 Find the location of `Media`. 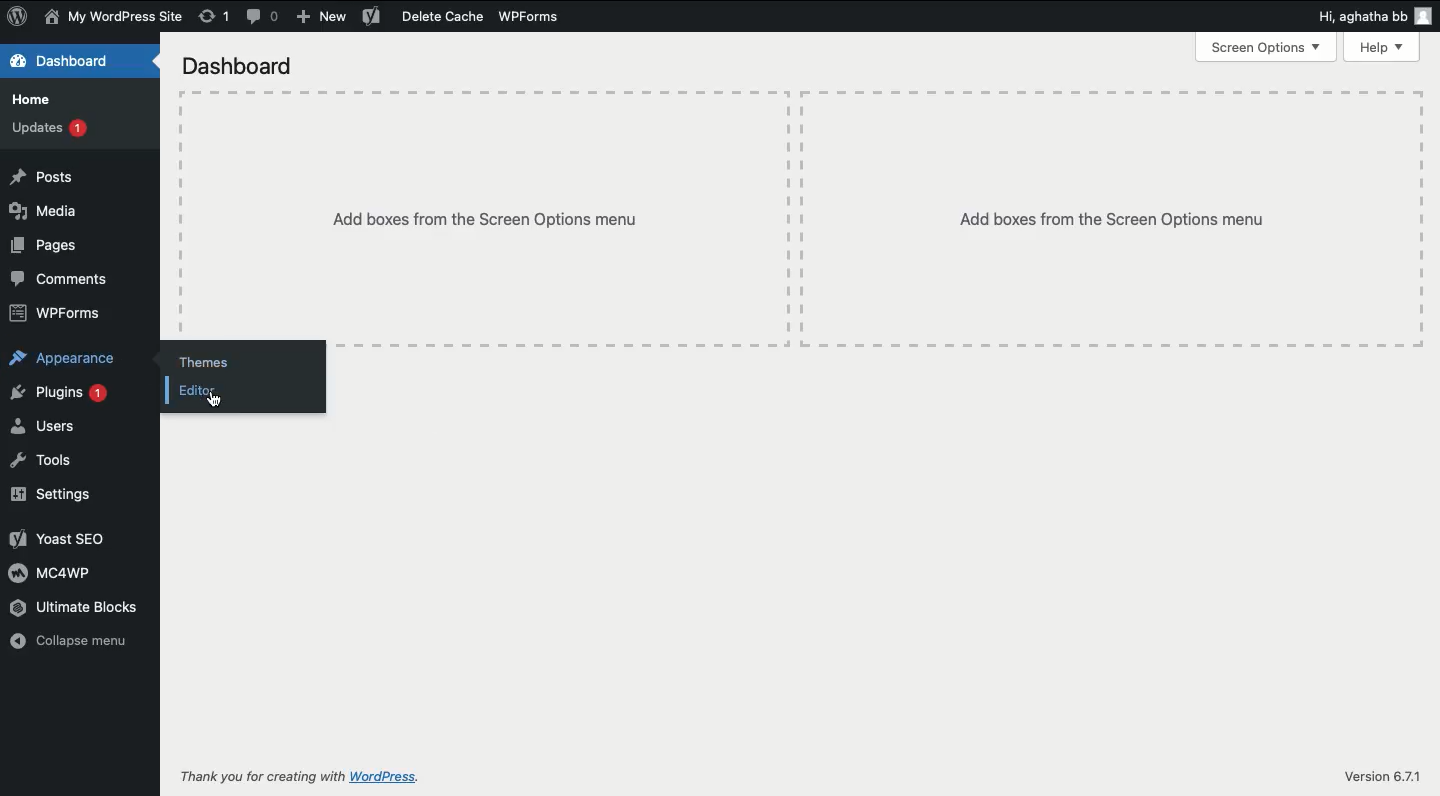

Media is located at coordinates (46, 213).